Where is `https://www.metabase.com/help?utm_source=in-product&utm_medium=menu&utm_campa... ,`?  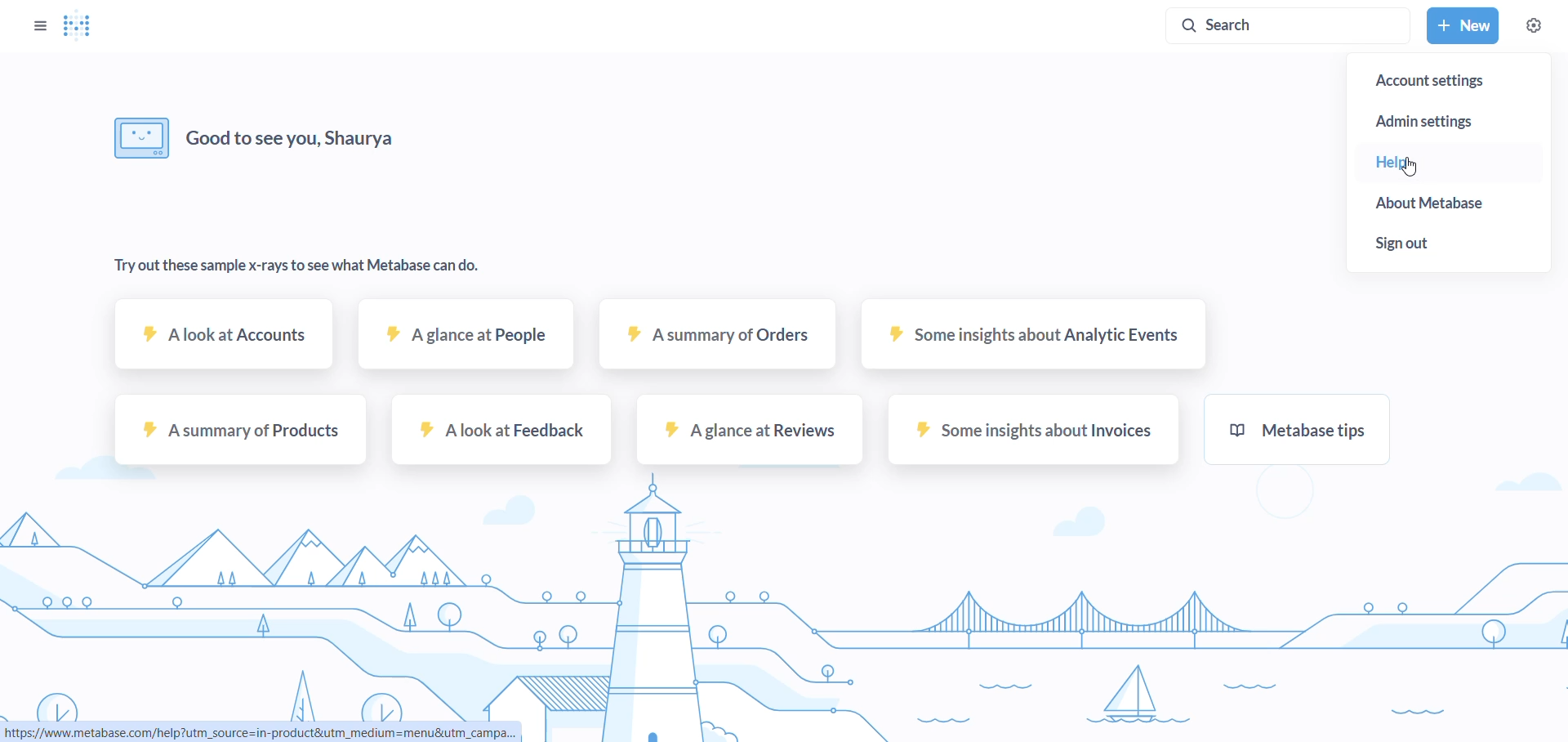
https://www.metabase.com/help?utm_source=in-product&utm_medium=menu&utm_campa... , is located at coordinates (261, 733).